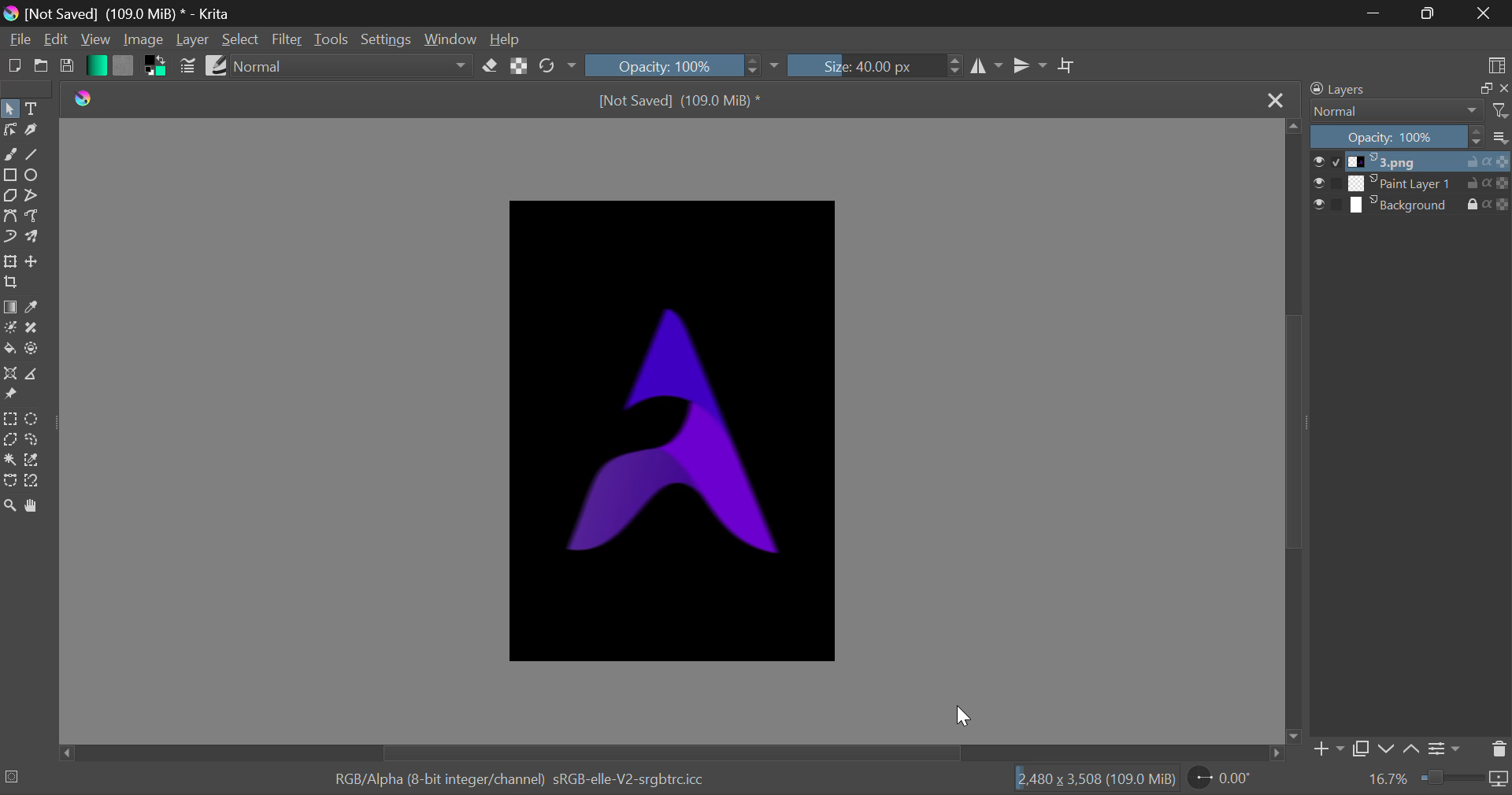  I want to click on Smart Patch Tool, so click(30, 330).